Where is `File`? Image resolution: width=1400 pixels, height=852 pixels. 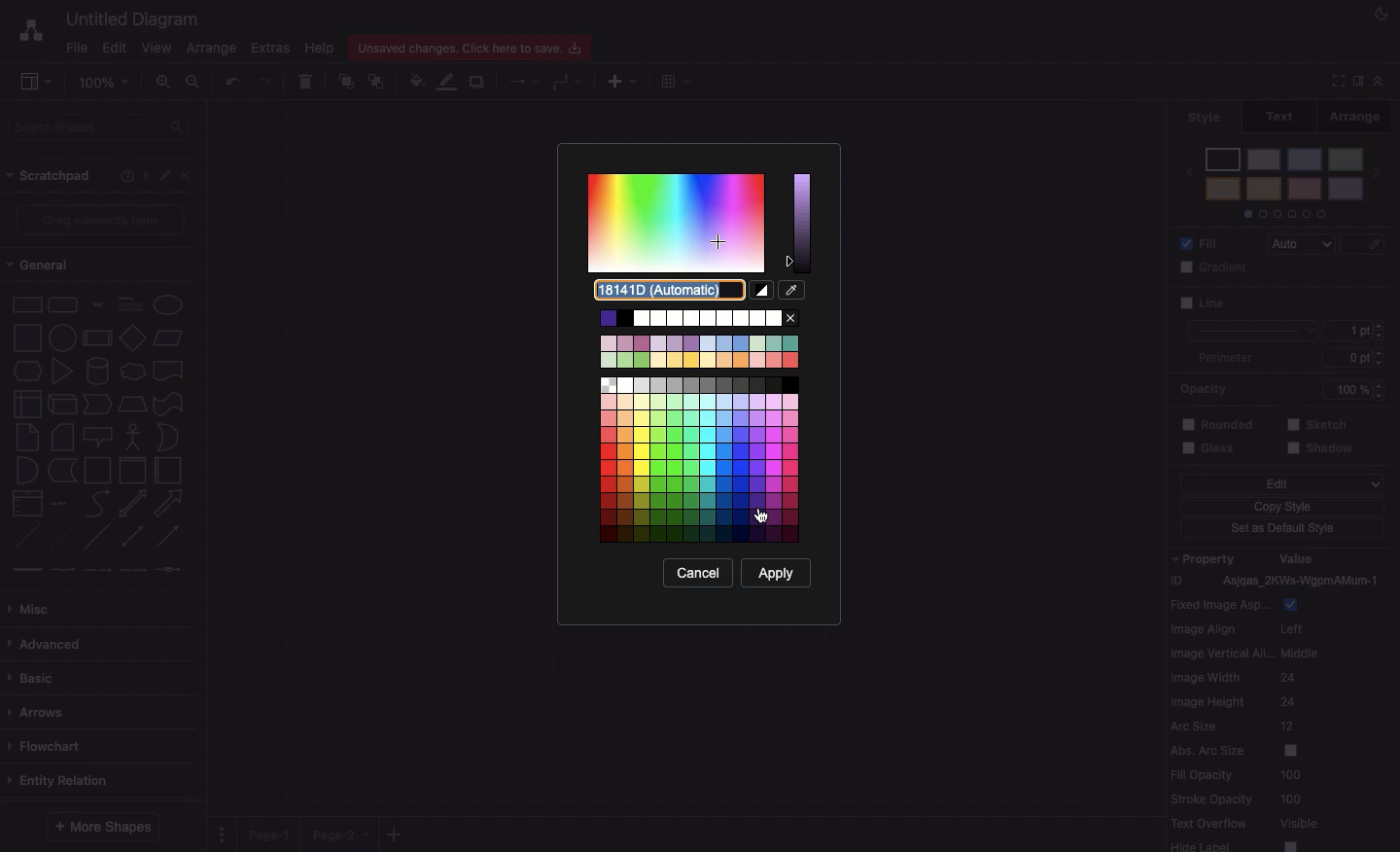
File is located at coordinates (77, 46).